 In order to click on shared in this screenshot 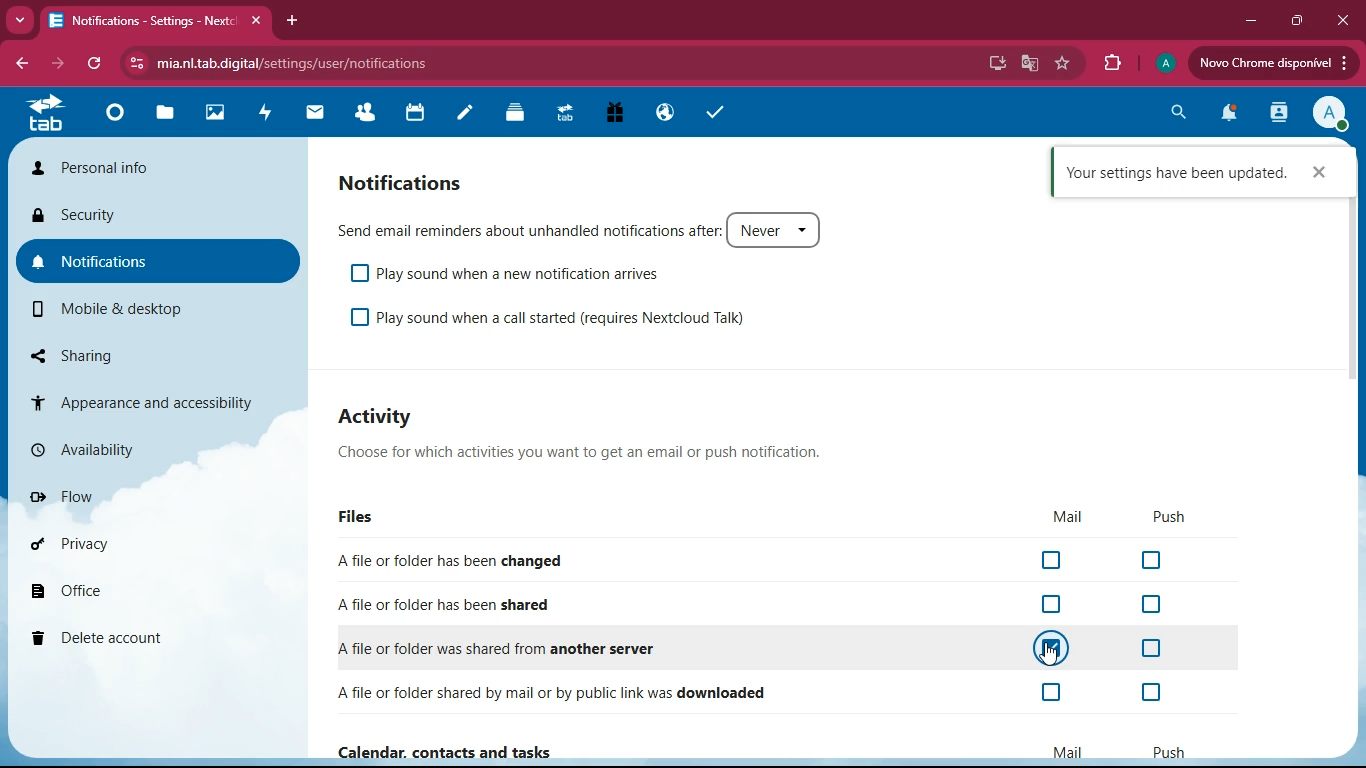, I will do `click(467, 605)`.